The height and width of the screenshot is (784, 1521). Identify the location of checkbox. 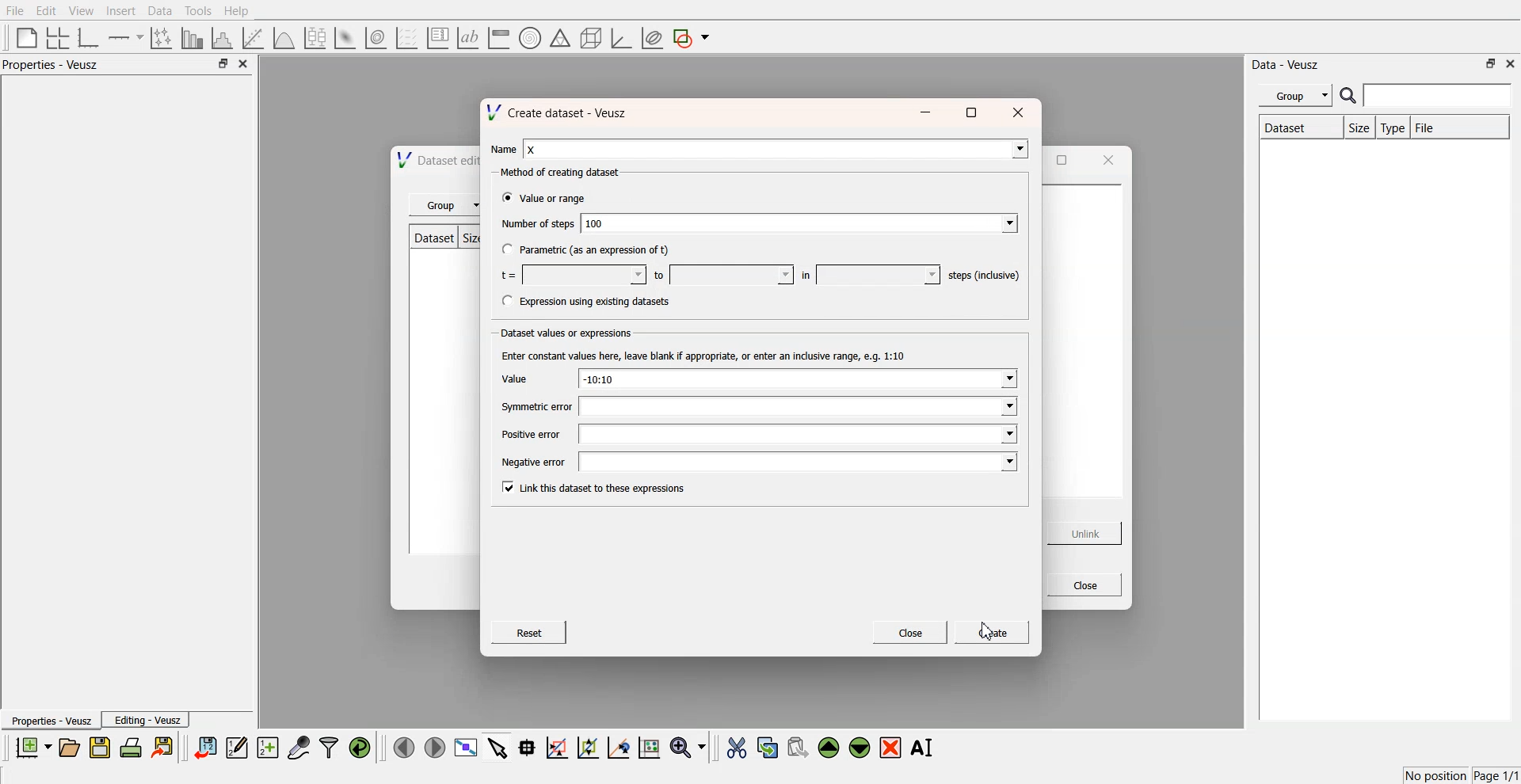
(505, 249).